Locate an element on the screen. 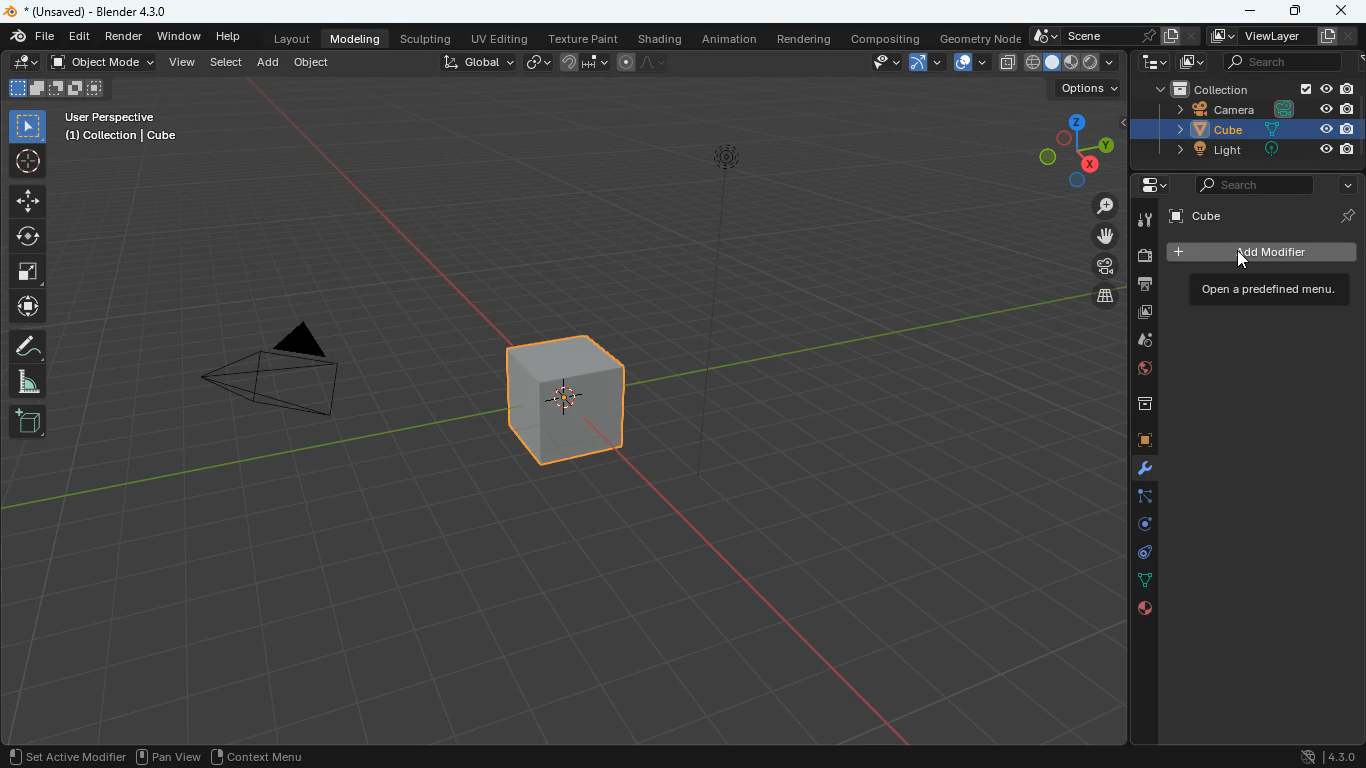  camera is located at coordinates (1144, 256).